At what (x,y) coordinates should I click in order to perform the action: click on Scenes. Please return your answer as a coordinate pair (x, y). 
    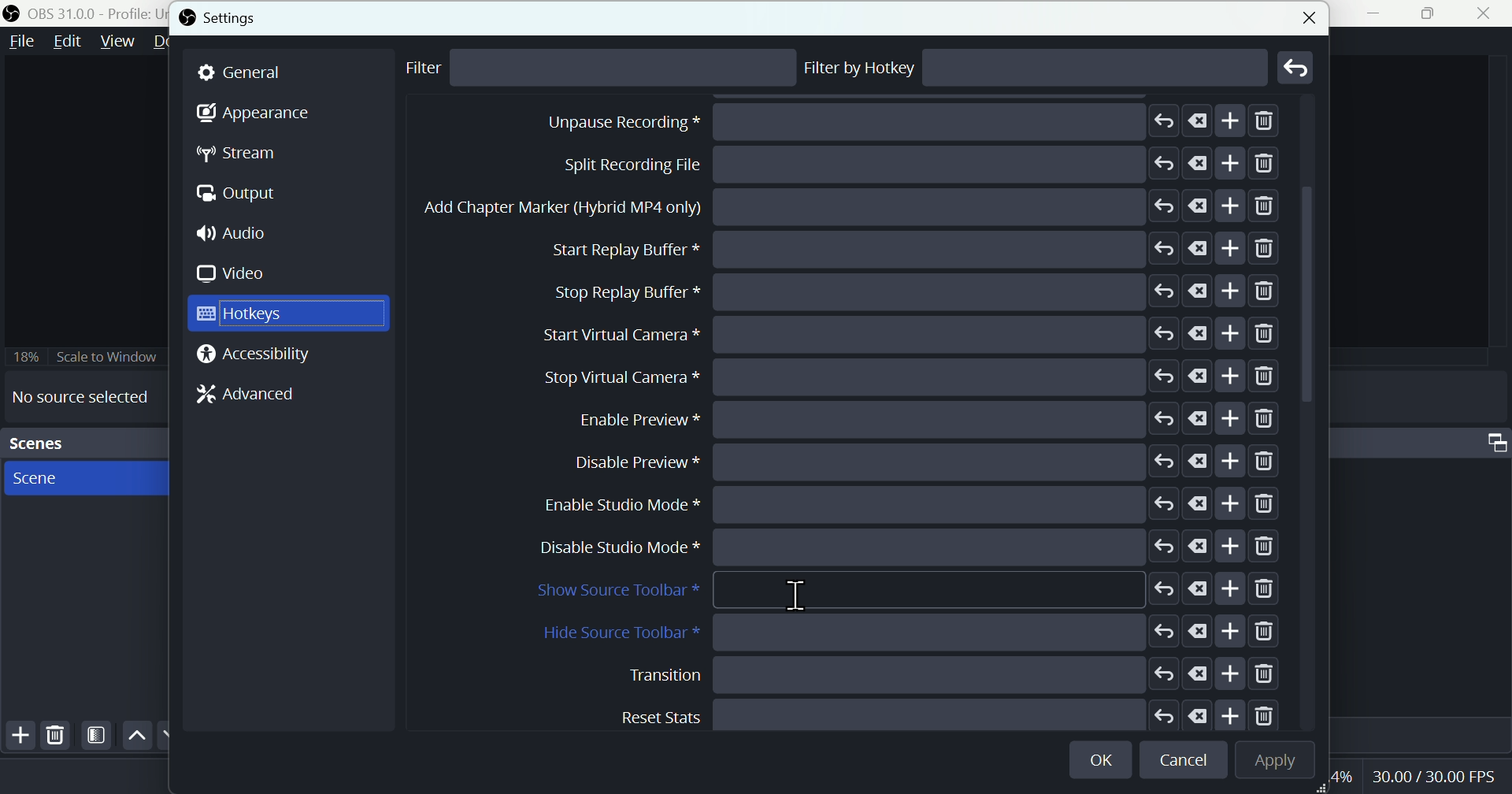
    Looking at the image, I should click on (82, 443).